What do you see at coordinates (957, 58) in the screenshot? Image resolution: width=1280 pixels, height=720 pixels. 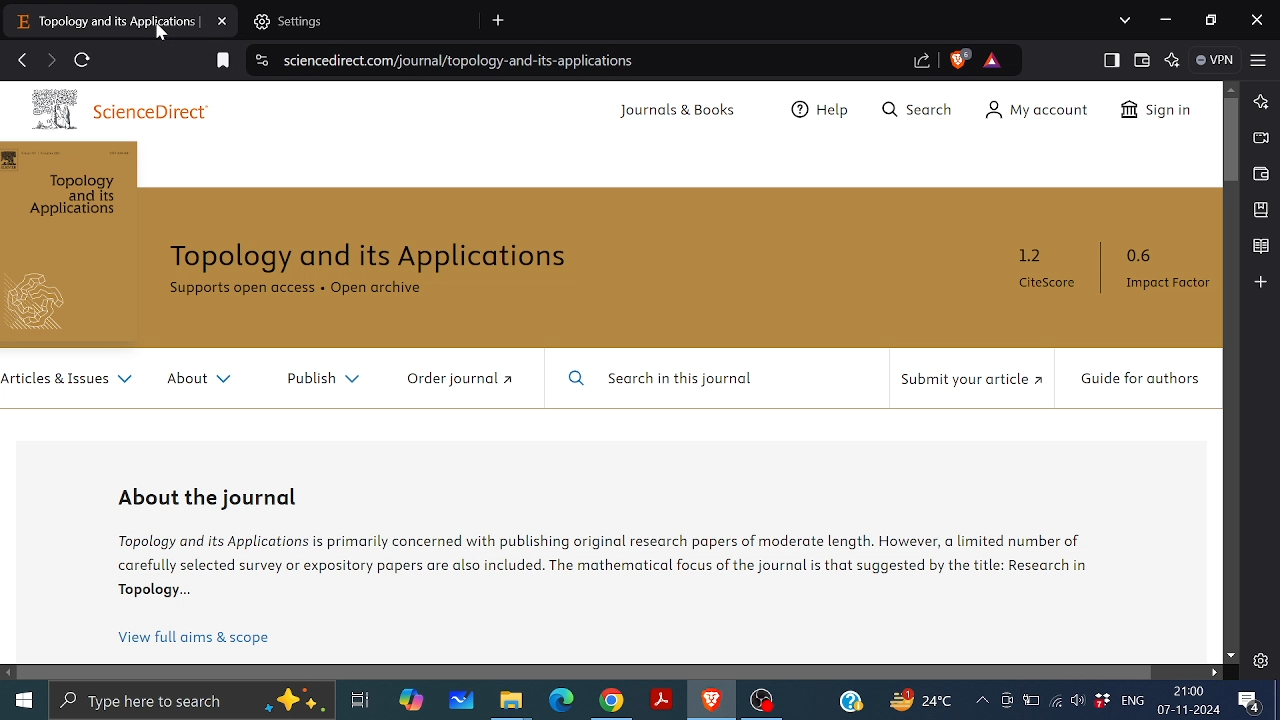 I see `Brave shield` at bounding box center [957, 58].